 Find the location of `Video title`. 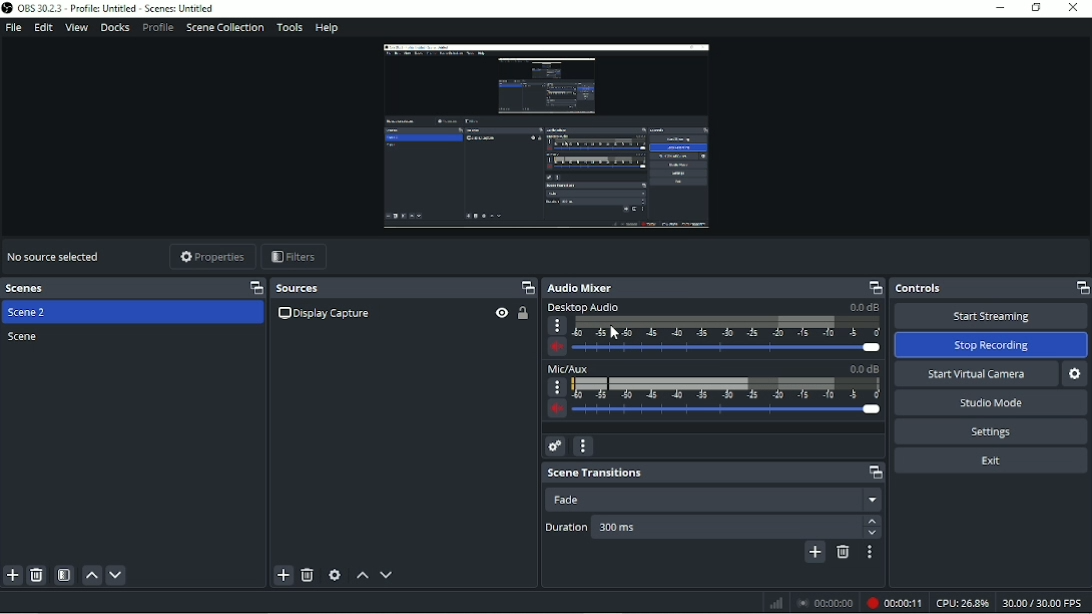

Video title is located at coordinates (61, 256).